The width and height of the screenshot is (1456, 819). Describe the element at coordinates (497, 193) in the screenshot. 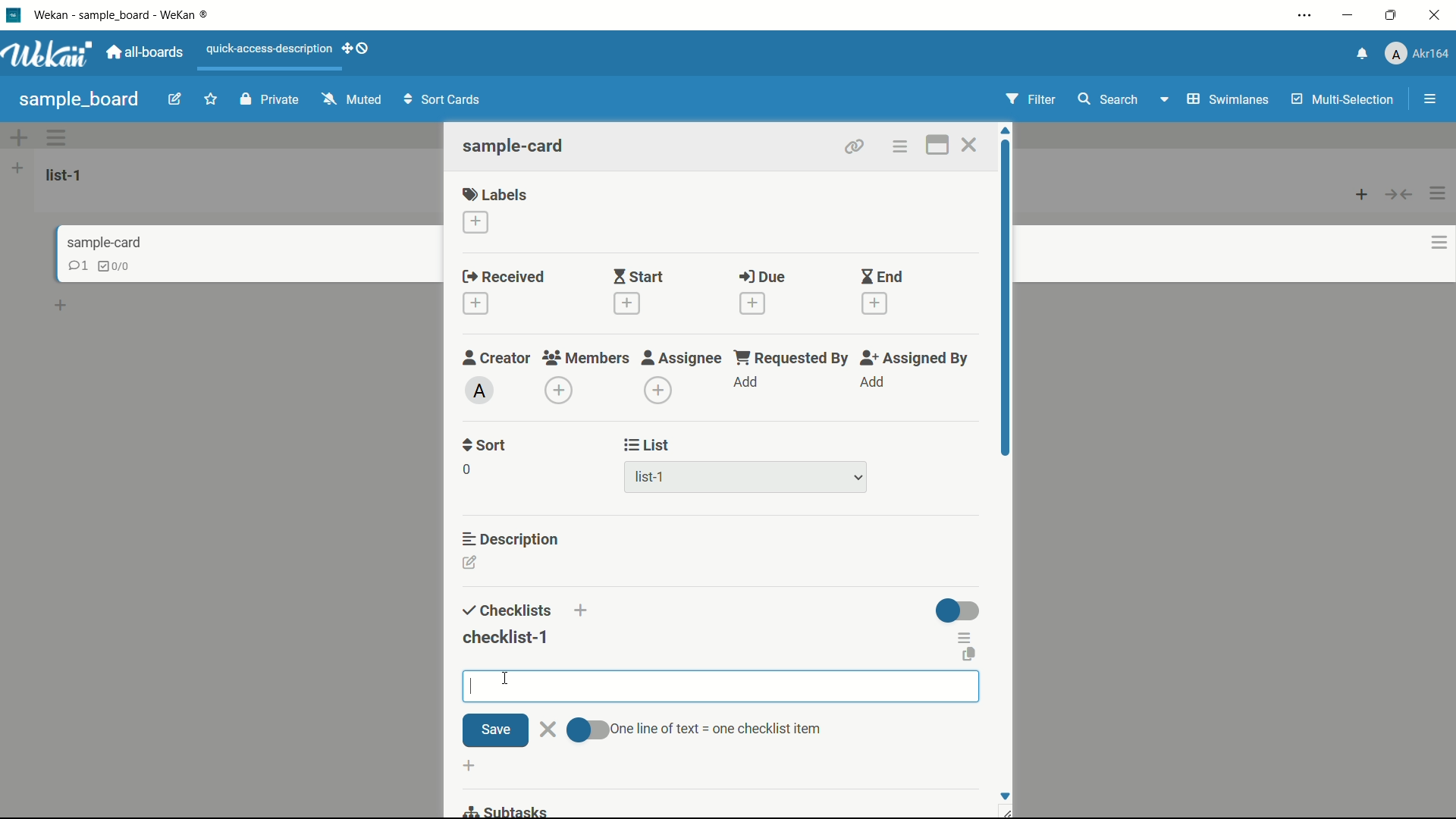

I see `labels` at that location.